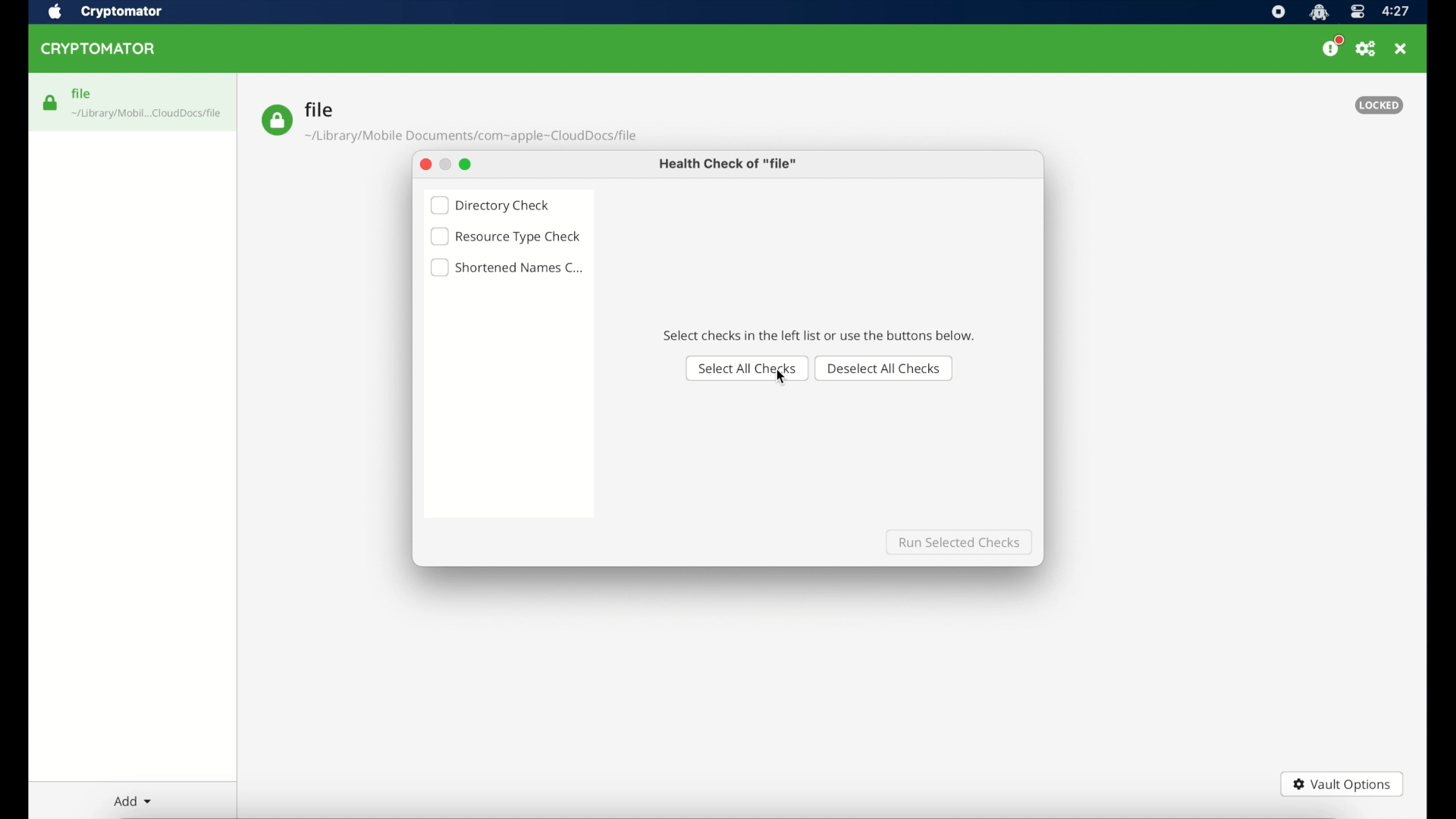 The image size is (1456, 819). Describe the element at coordinates (1397, 11) in the screenshot. I see `time` at that location.